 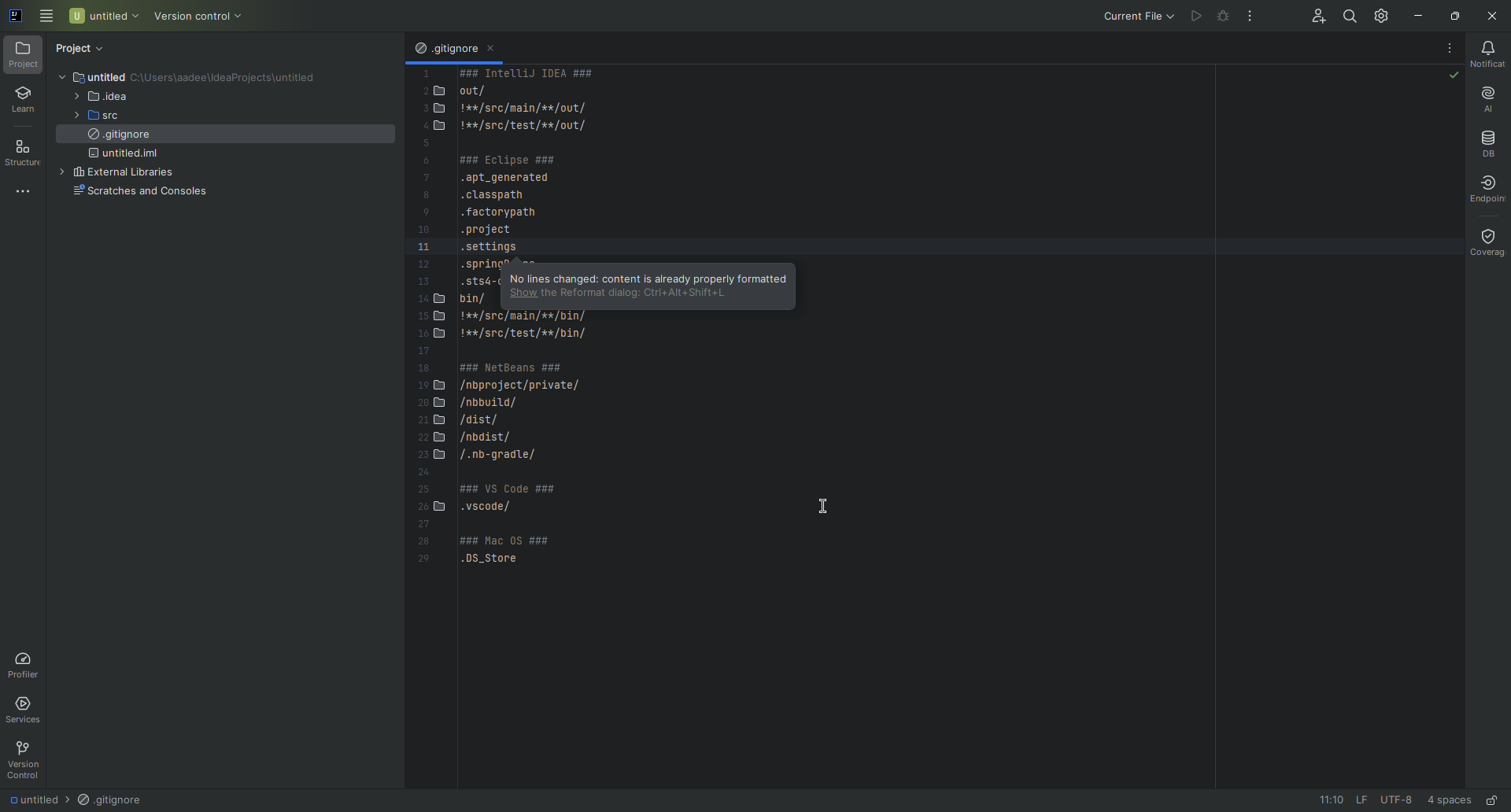 What do you see at coordinates (1247, 17) in the screenshot?
I see `More Actions` at bounding box center [1247, 17].